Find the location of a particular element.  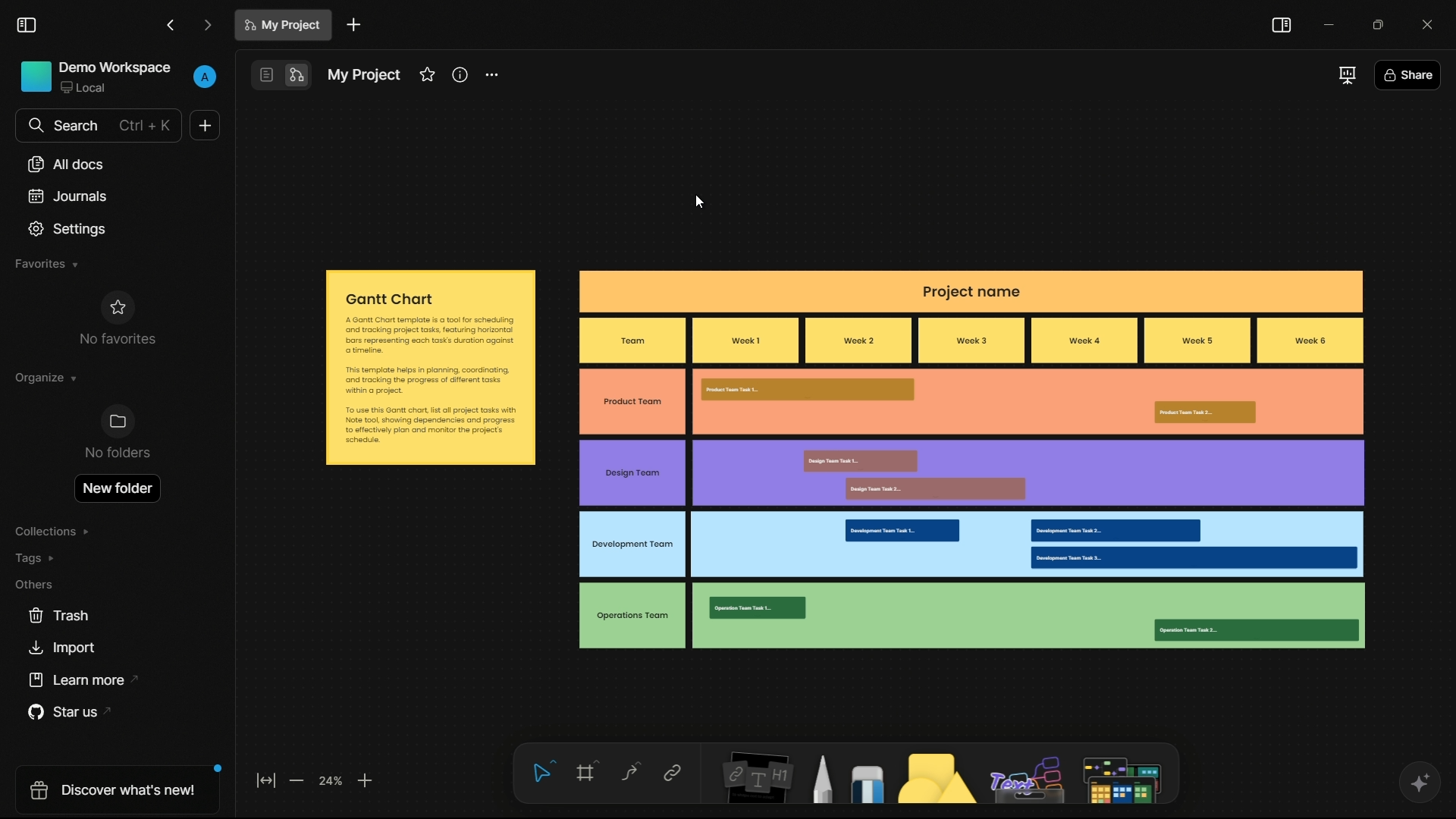

pencils and pens is located at coordinates (824, 779).